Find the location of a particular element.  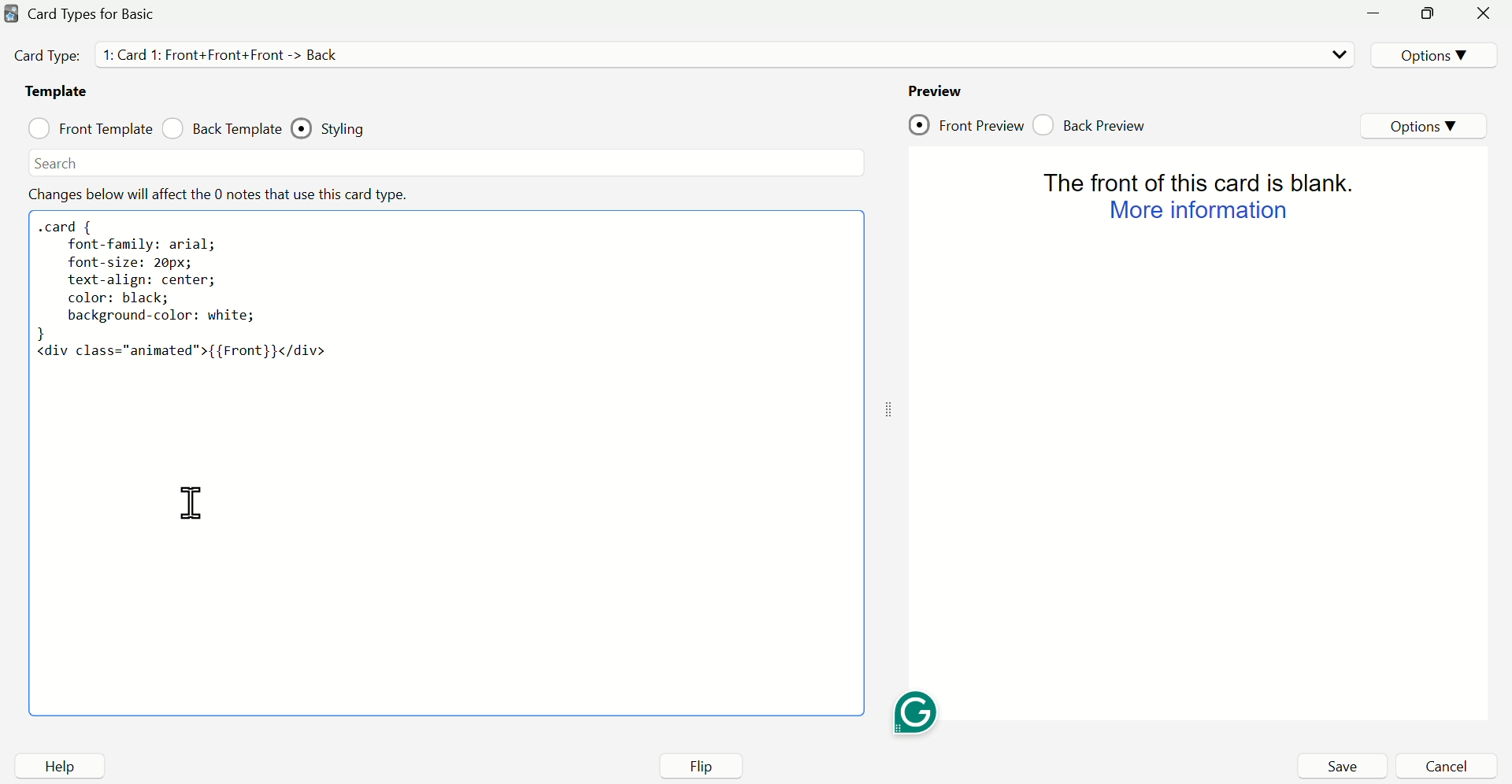

Front Template is located at coordinates (90, 128).